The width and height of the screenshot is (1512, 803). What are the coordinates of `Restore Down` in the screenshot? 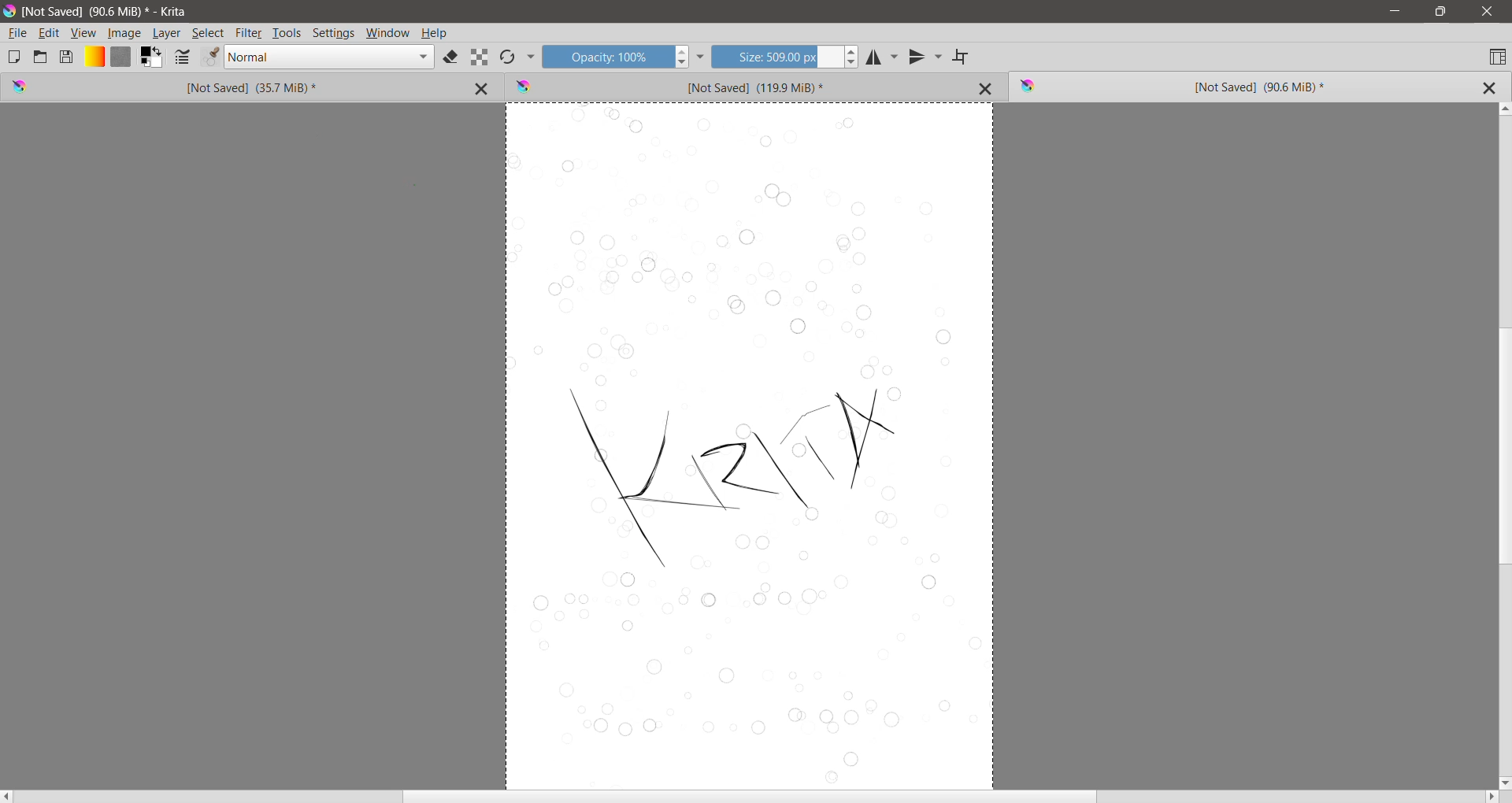 It's located at (1440, 12).